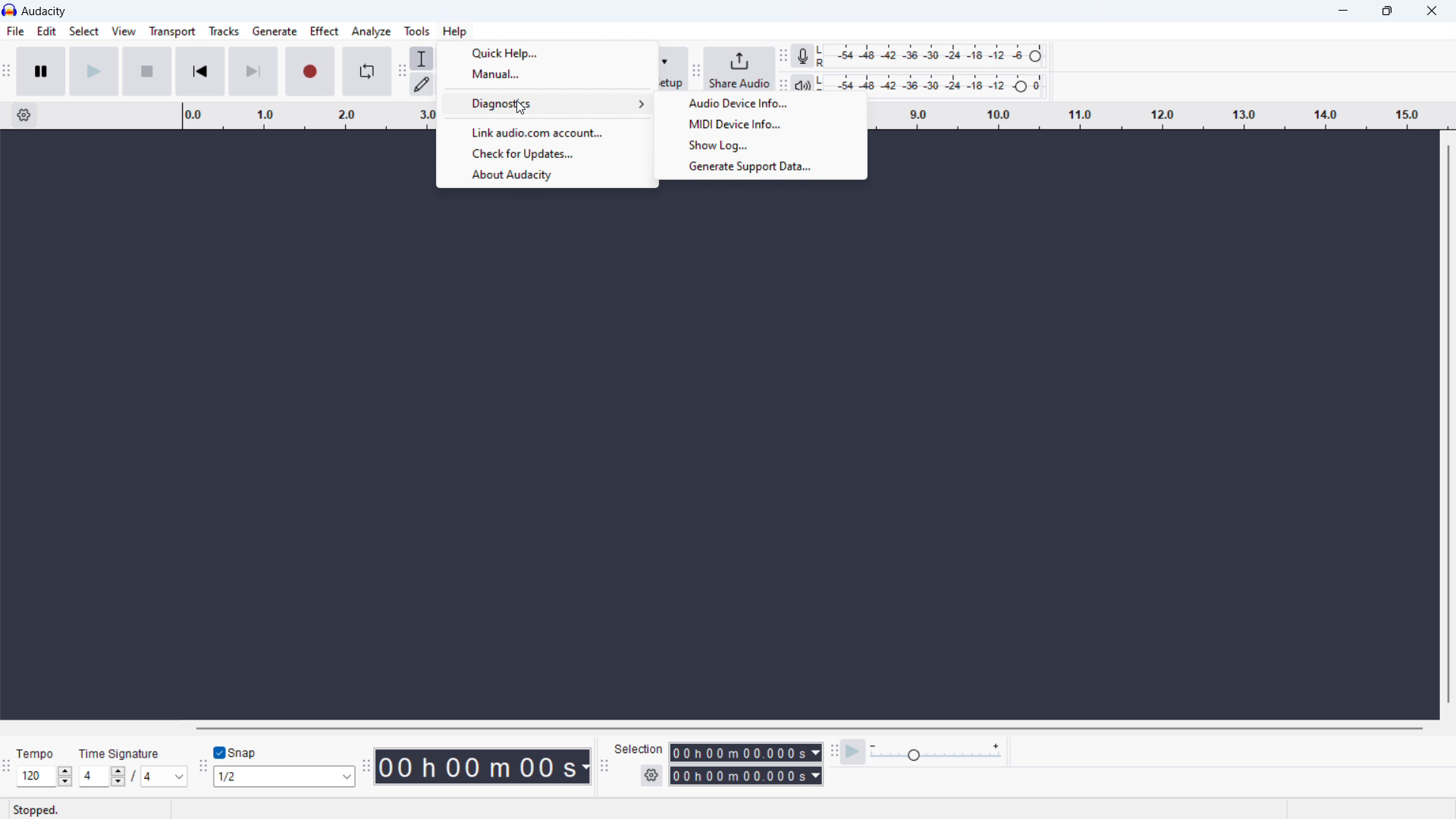  What do you see at coordinates (120, 753) in the screenshot?
I see `Time signature` at bounding box center [120, 753].